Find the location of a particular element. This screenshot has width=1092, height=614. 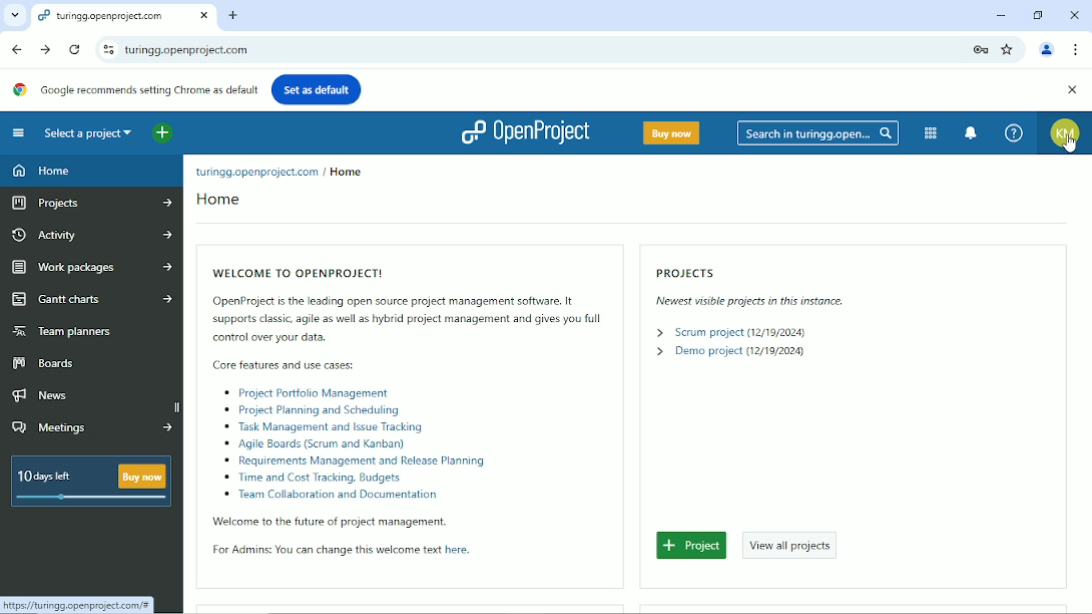

 Search in turingg.open... is located at coordinates (818, 133).